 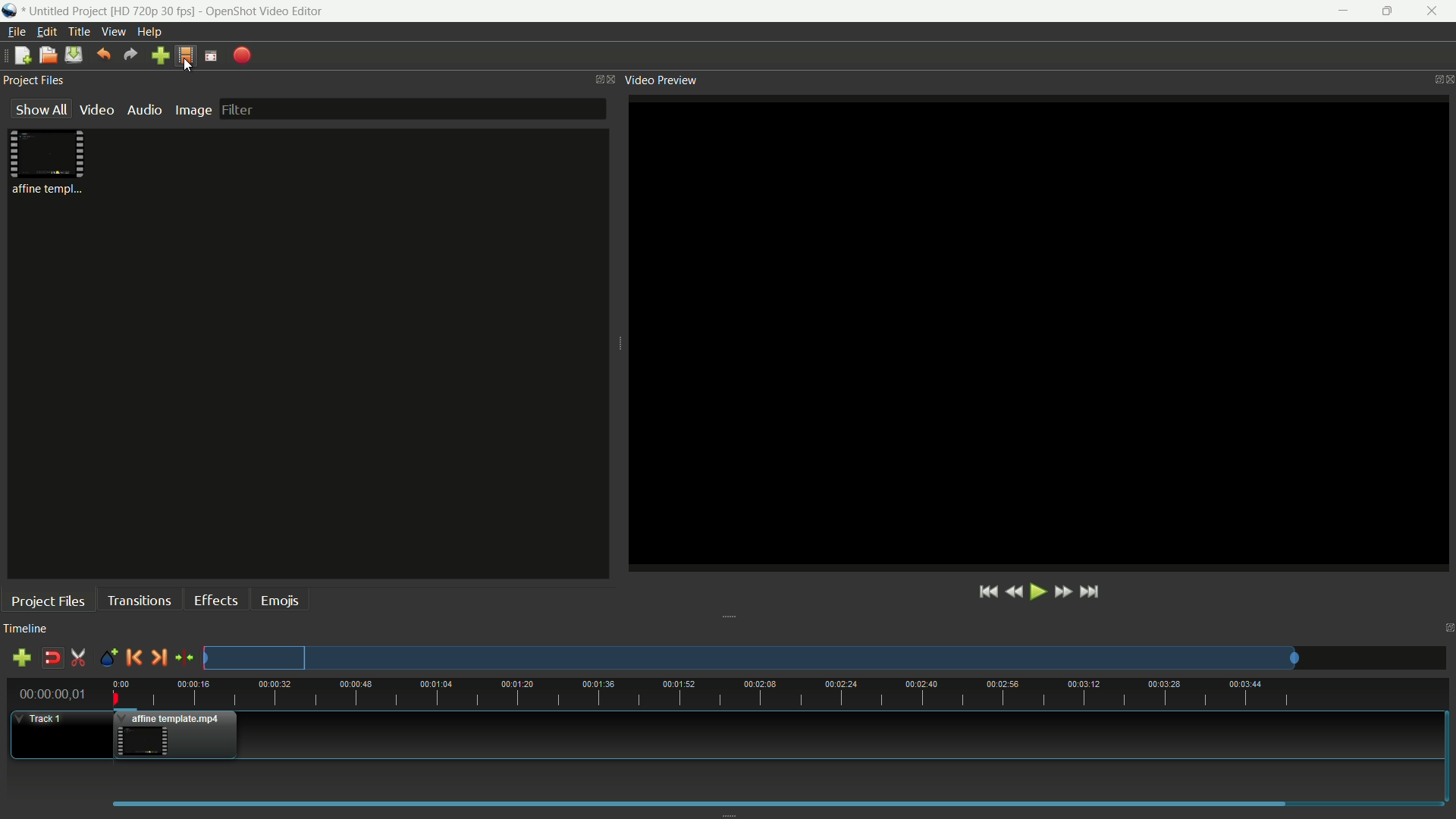 I want to click on track 1, so click(x=42, y=720).